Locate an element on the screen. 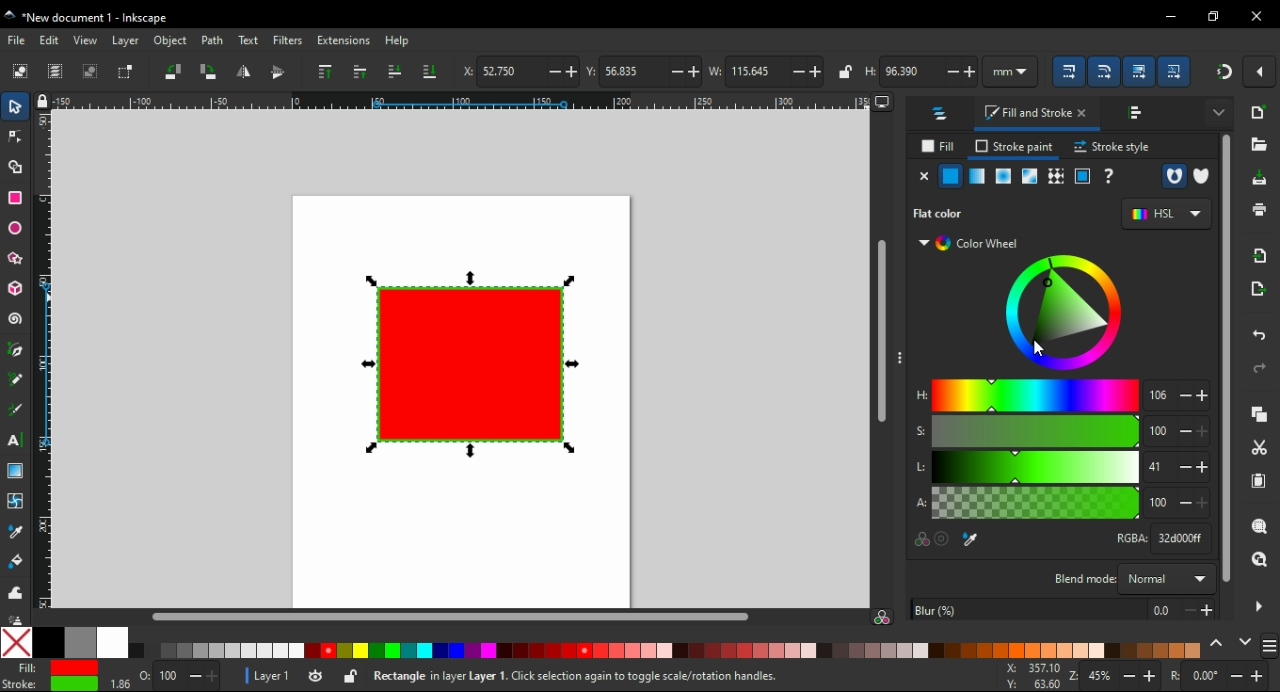  snap settings is located at coordinates (1260, 71).